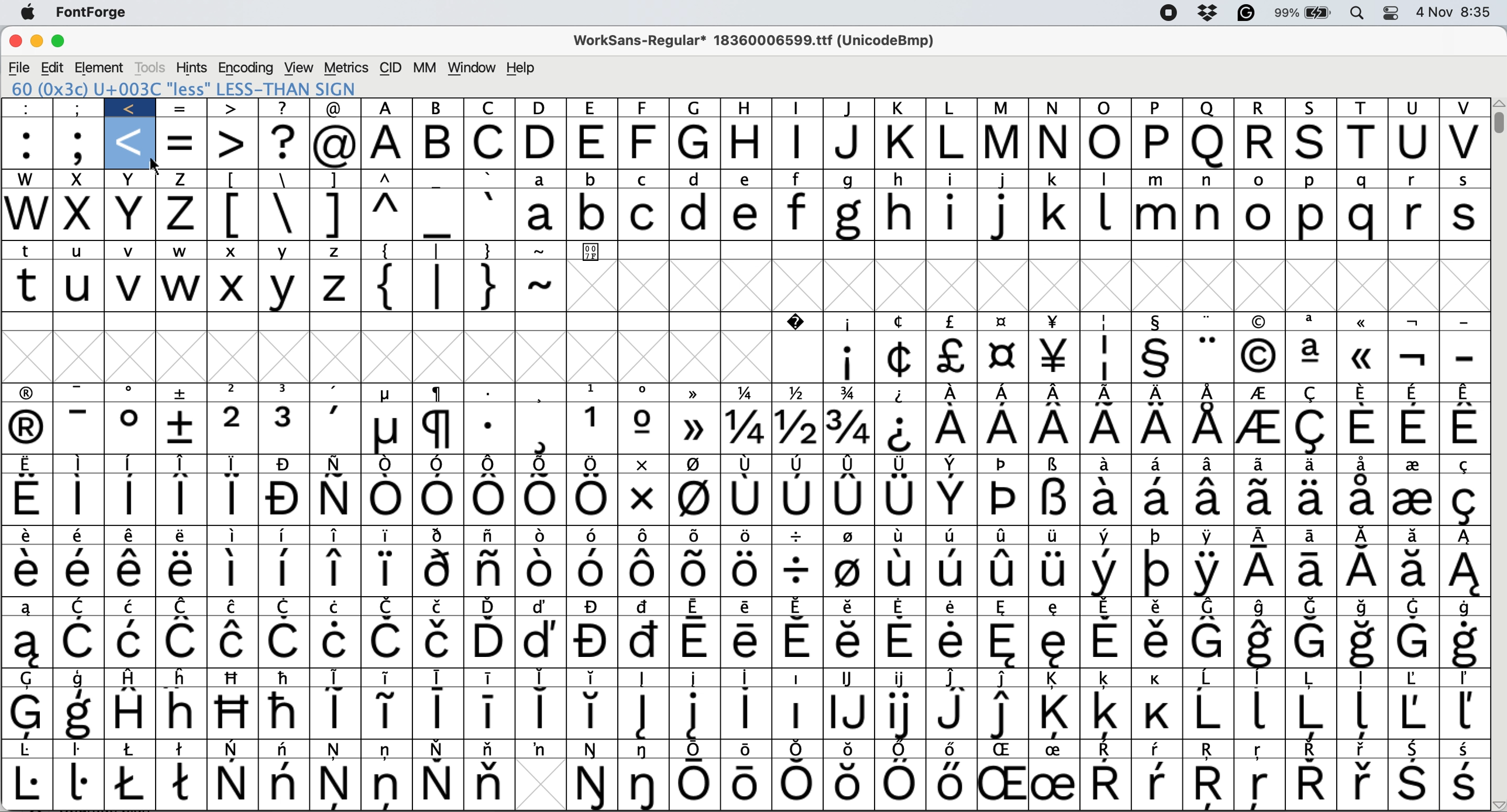 Image resolution: width=1507 pixels, height=812 pixels. What do you see at coordinates (744, 642) in the screenshot?
I see `symbol` at bounding box center [744, 642].